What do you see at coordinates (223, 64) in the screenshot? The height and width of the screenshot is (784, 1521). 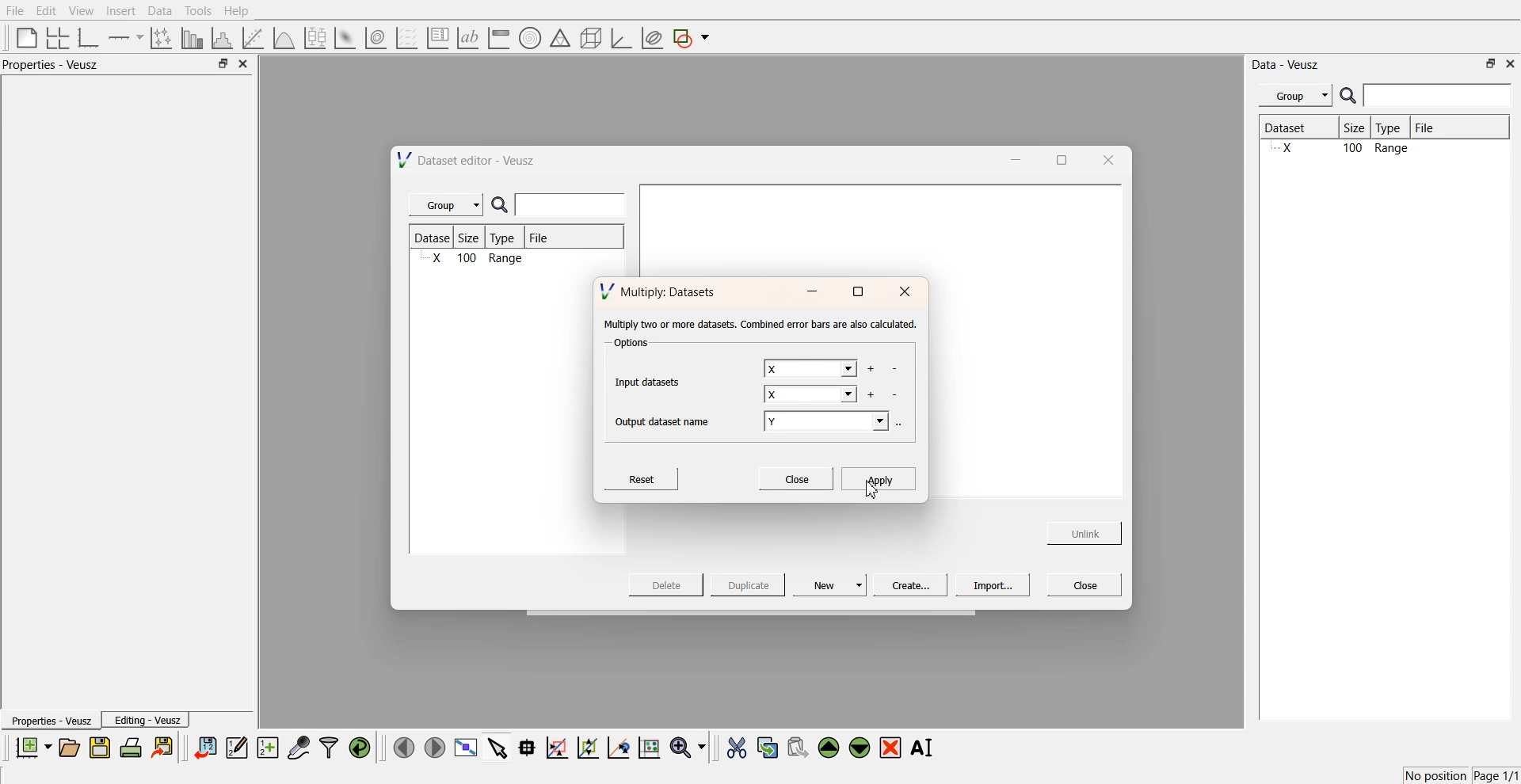 I see `minimise or maximise` at bounding box center [223, 64].